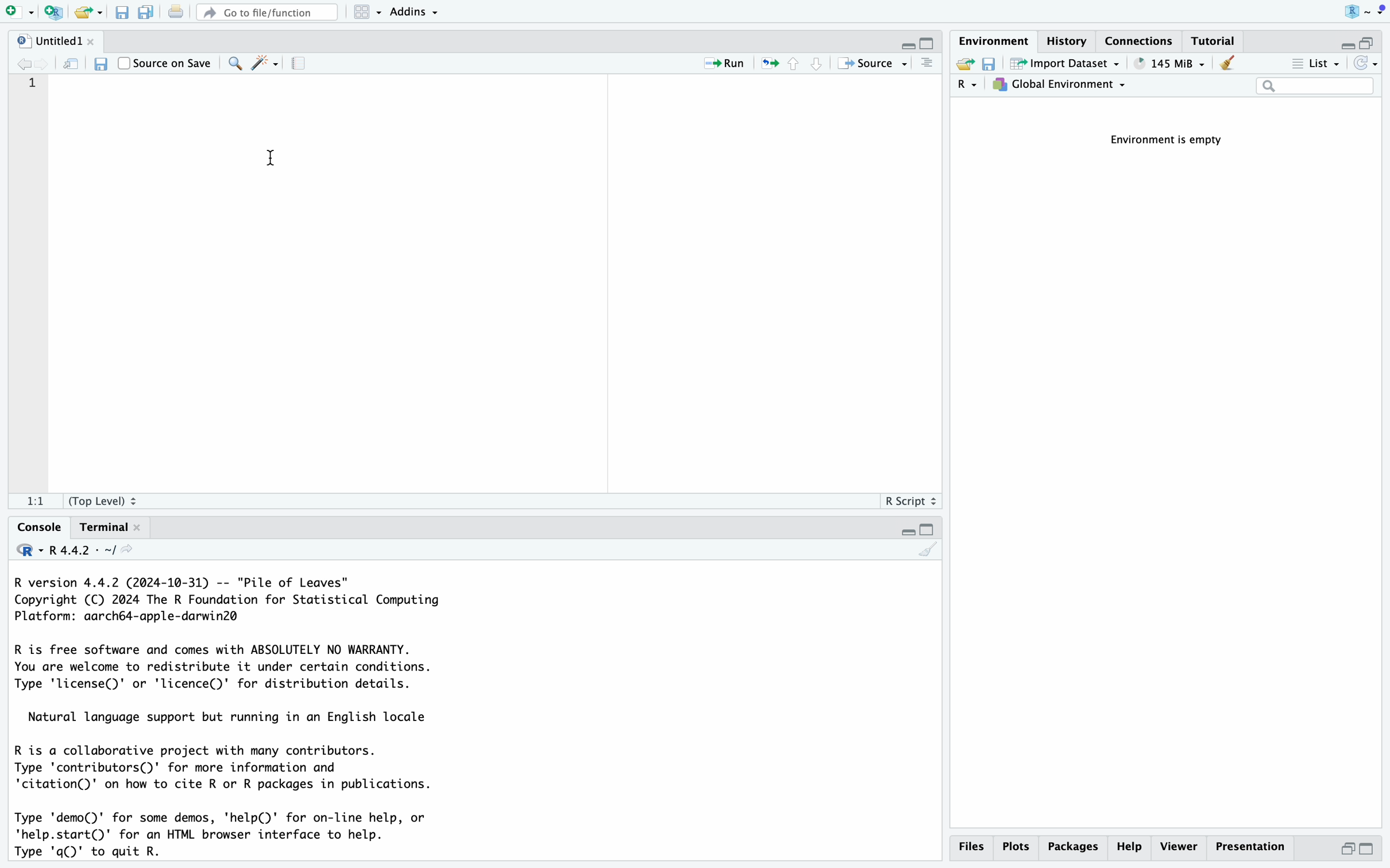 The image size is (1390, 868). I want to click on clear objects from the workspace, so click(1226, 64).